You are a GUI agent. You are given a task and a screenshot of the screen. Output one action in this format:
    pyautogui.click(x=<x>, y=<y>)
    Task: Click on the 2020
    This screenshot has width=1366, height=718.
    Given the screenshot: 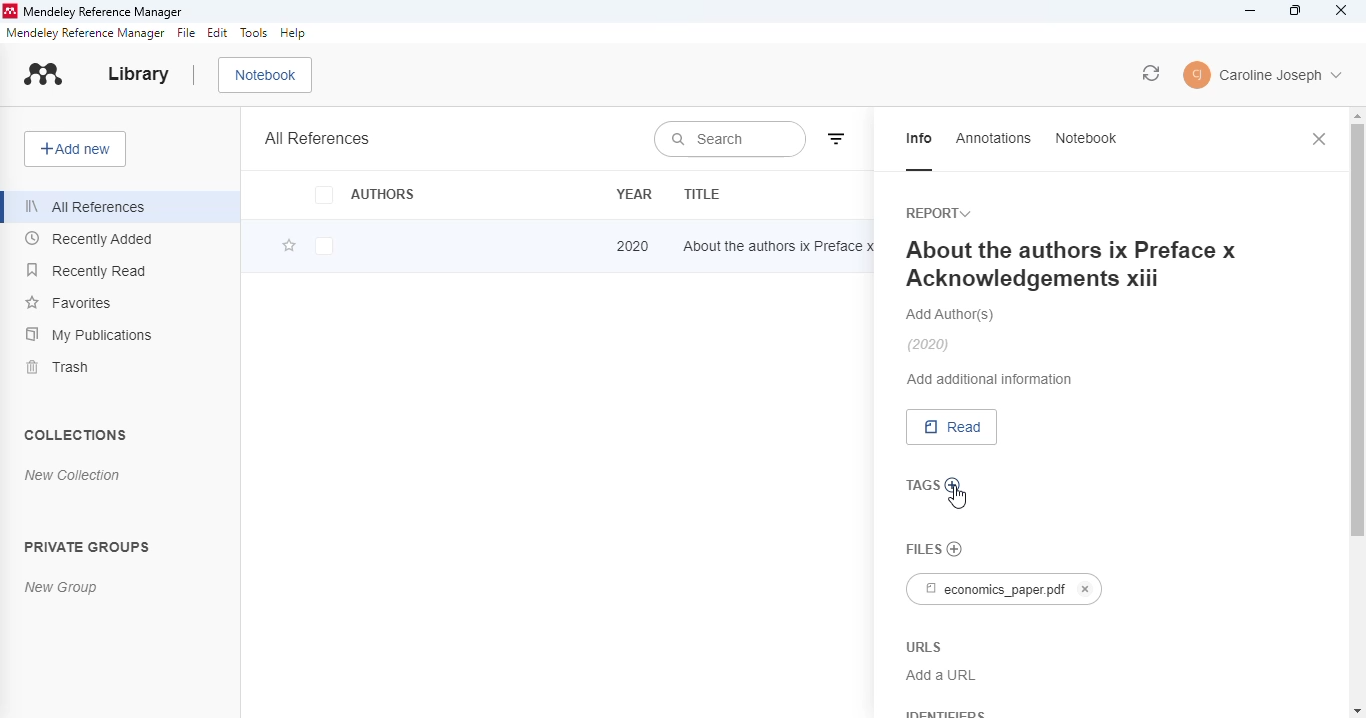 What is the action you would take?
    pyautogui.click(x=633, y=245)
    